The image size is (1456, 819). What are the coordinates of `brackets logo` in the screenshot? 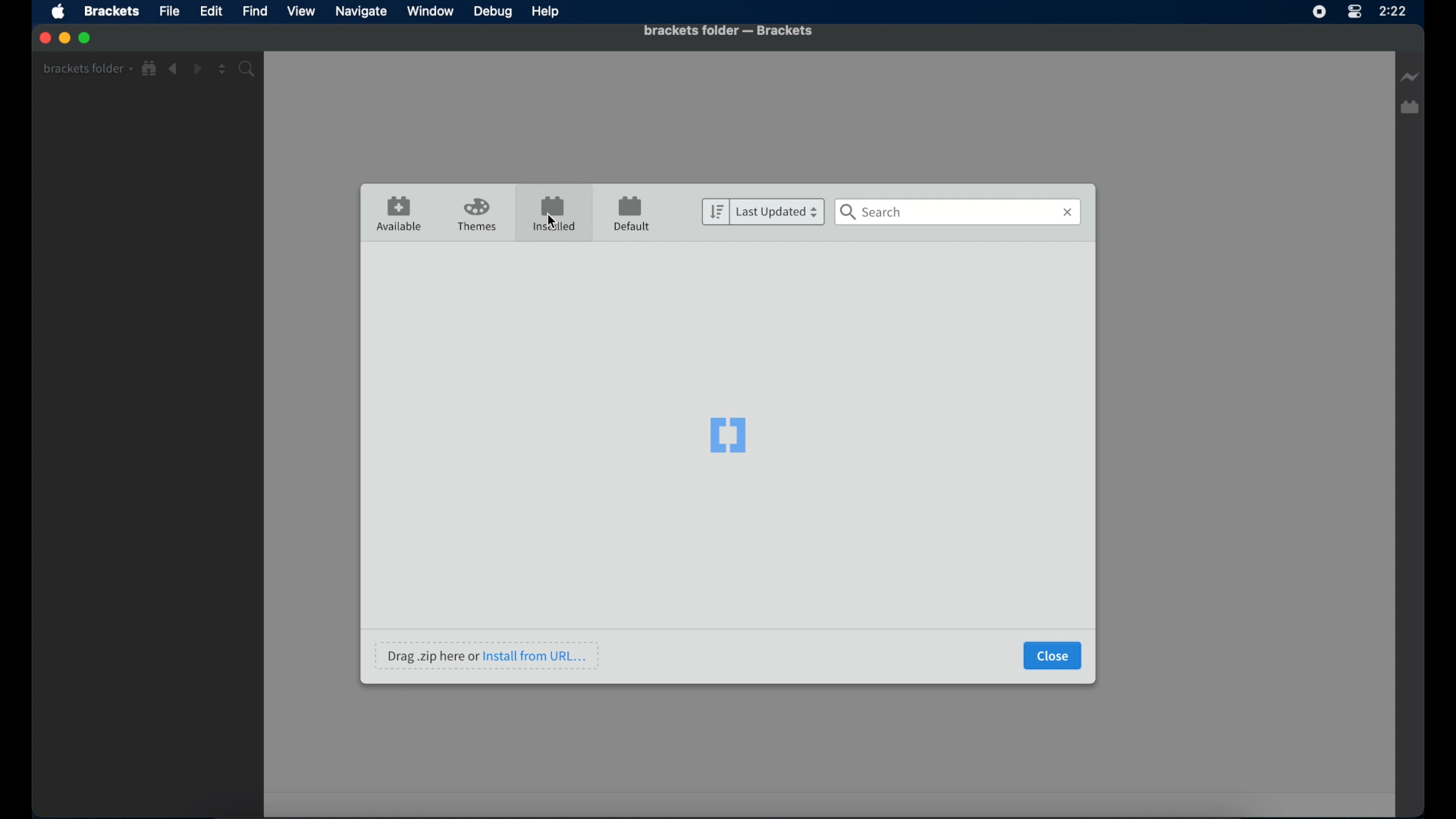 It's located at (730, 434).